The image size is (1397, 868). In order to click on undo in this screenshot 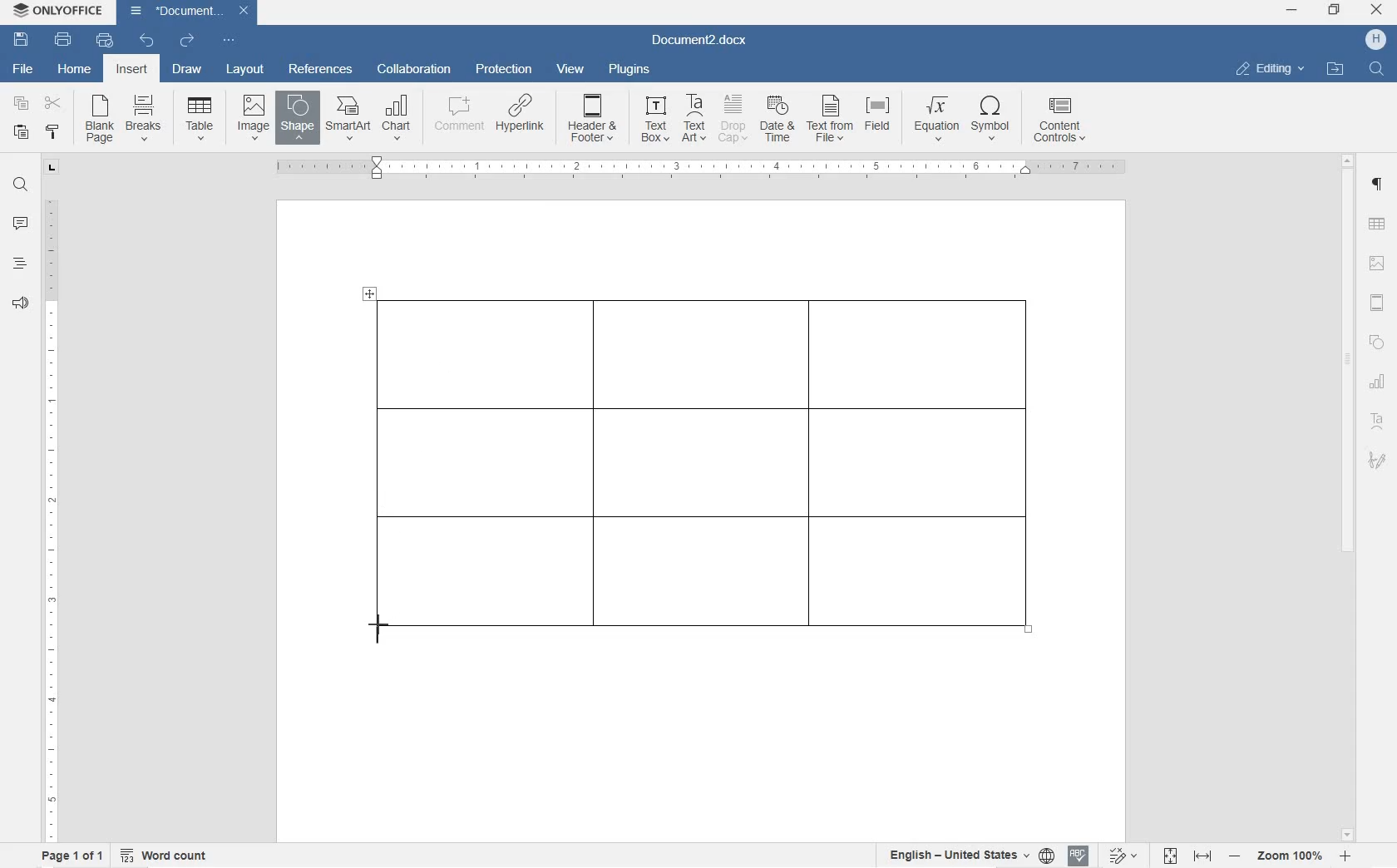, I will do `click(146, 41)`.